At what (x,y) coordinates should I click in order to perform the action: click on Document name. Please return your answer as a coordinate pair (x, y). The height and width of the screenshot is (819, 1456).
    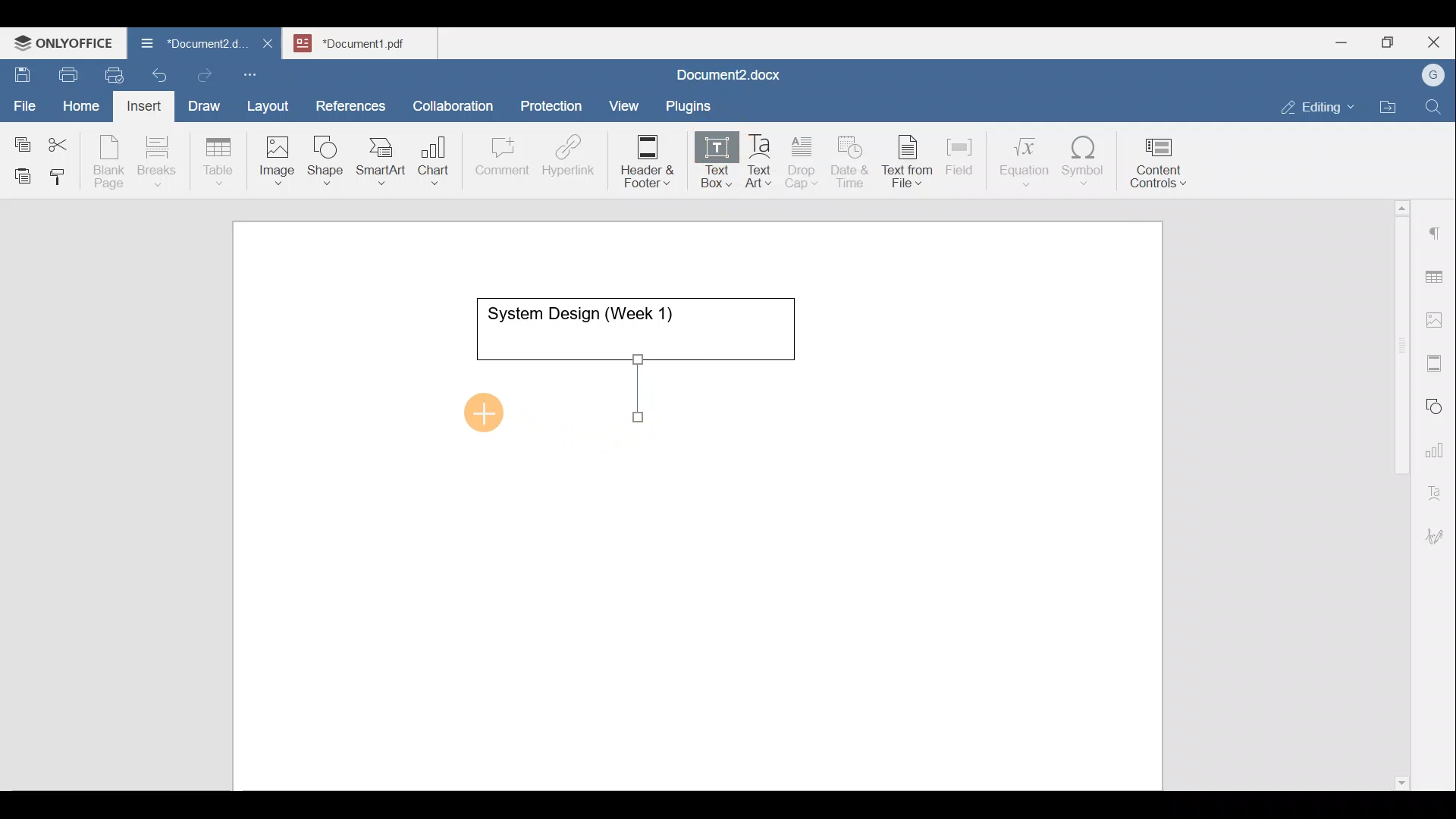
    Looking at the image, I should click on (725, 77).